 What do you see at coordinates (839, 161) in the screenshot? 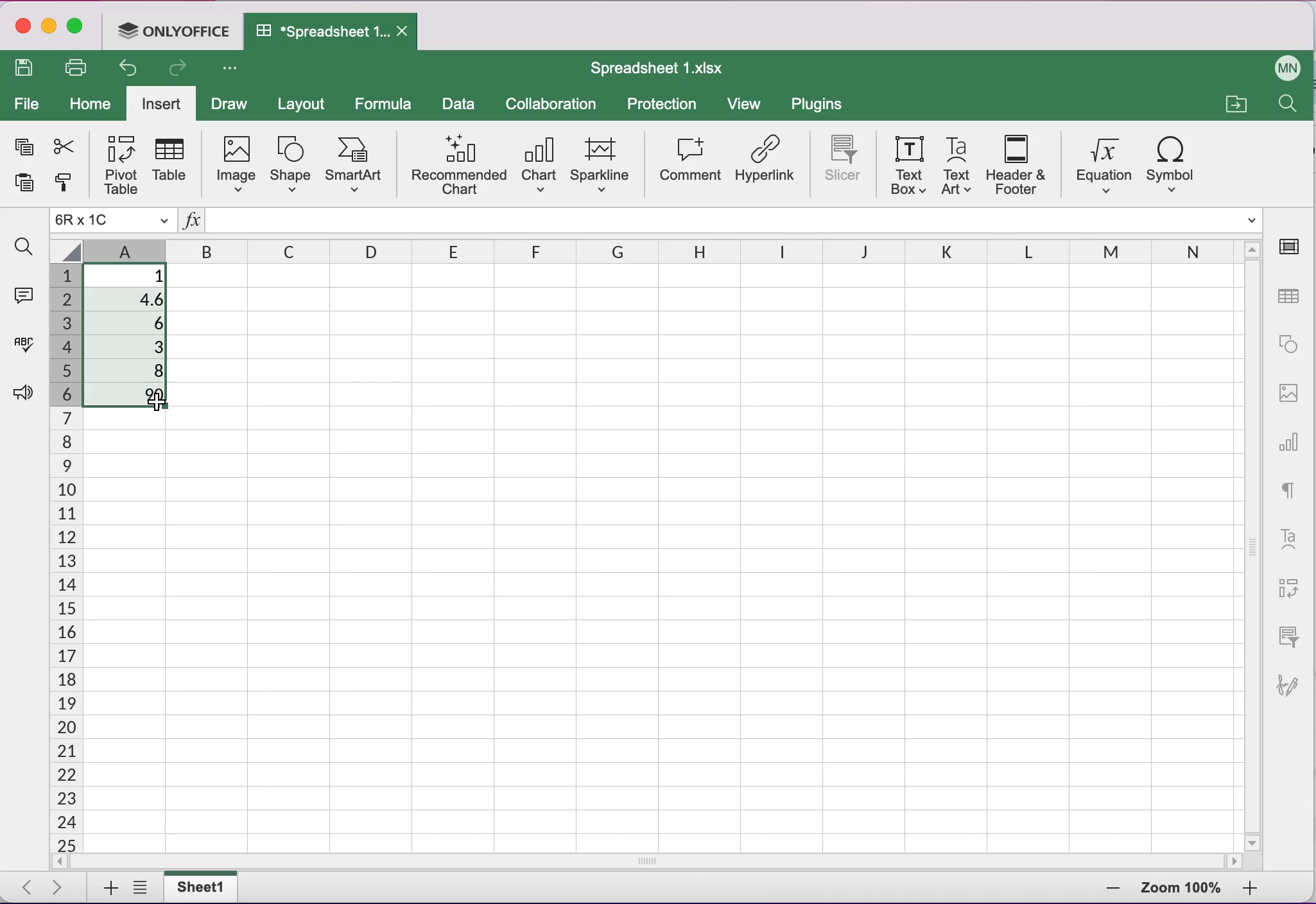
I see `slicer` at bounding box center [839, 161].